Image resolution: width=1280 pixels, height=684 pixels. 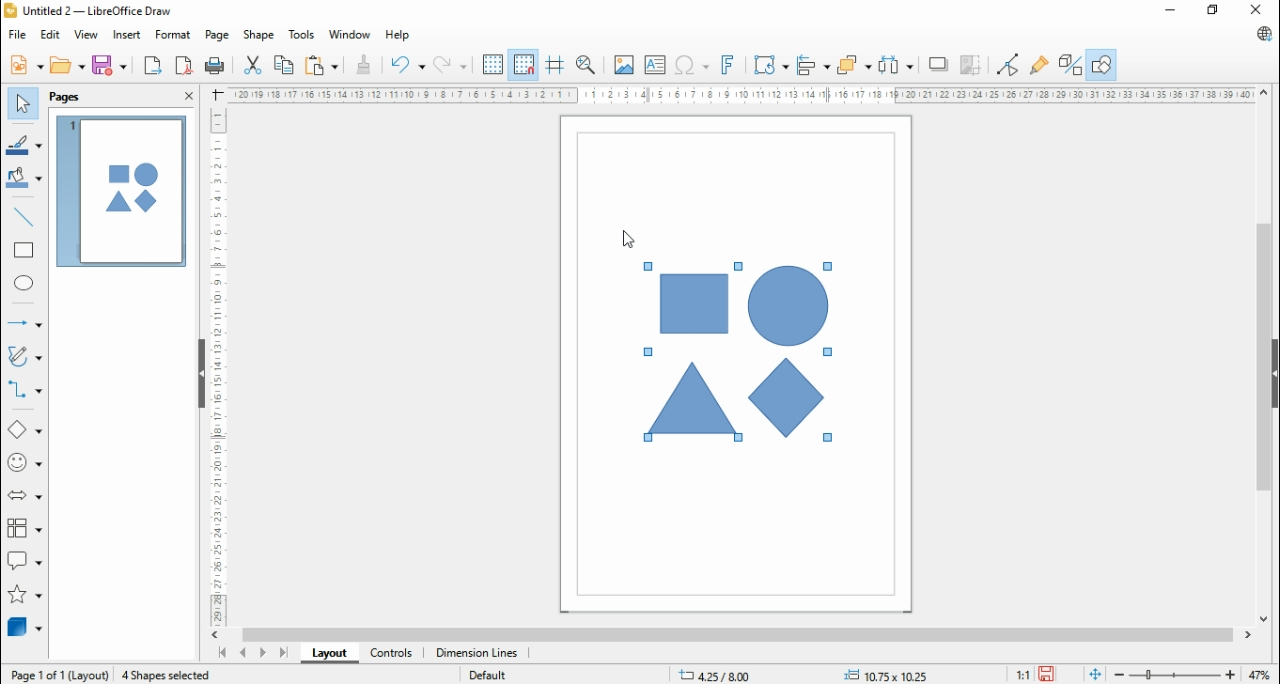 What do you see at coordinates (220, 653) in the screenshot?
I see `first page` at bounding box center [220, 653].